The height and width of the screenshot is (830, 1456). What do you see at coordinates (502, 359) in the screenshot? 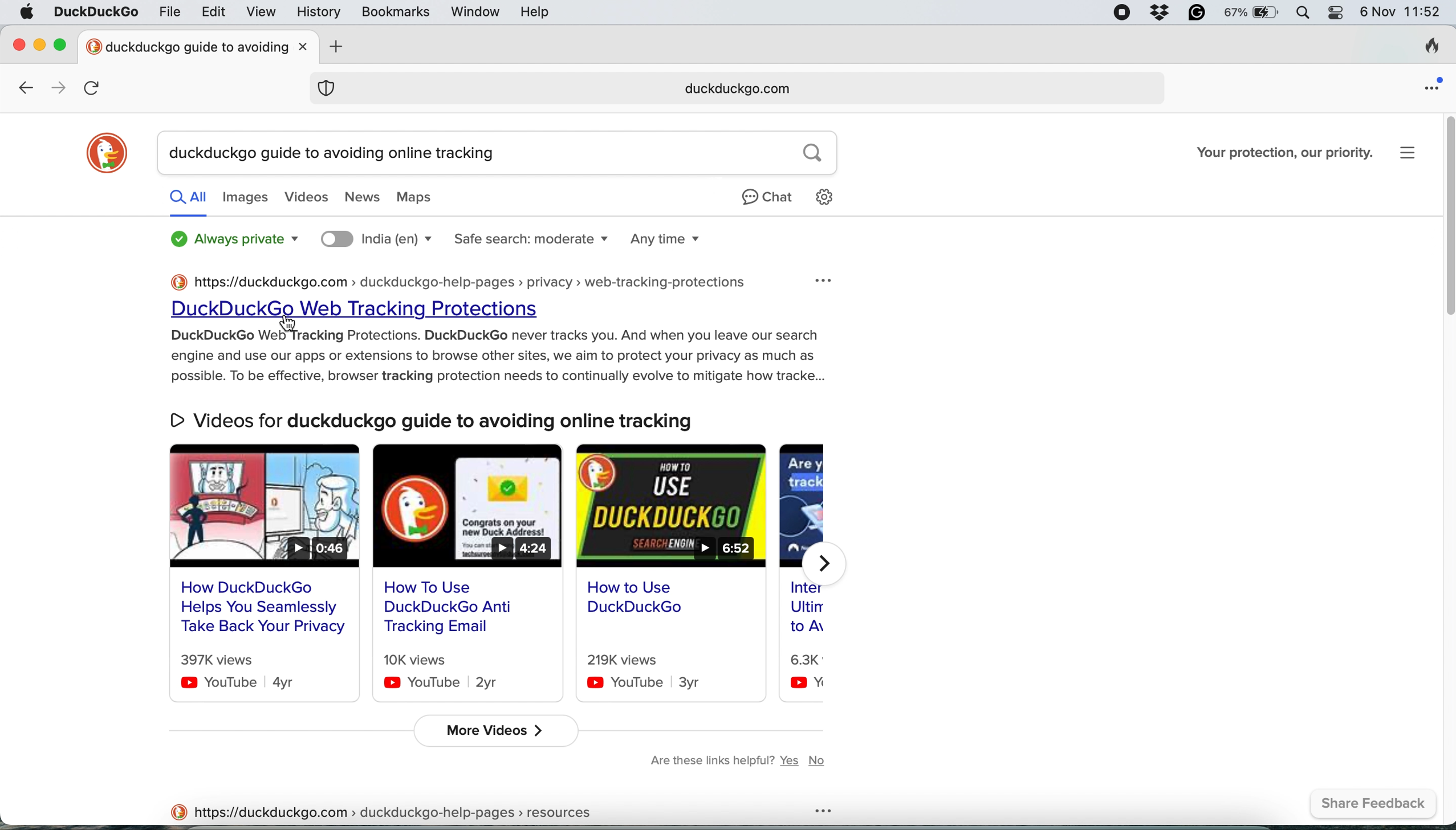
I see `DuckDuckGo Web Tracking Protections. DuckDuckGo never tracks you. And when you leave our search
engine and use our apps or extensions to browse other sites, we aim to protect your privacy as much as
possible. To be effective, browser tracking protection needs to continually evolve to mitigate how tracke...` at bounding box center [502, 359].